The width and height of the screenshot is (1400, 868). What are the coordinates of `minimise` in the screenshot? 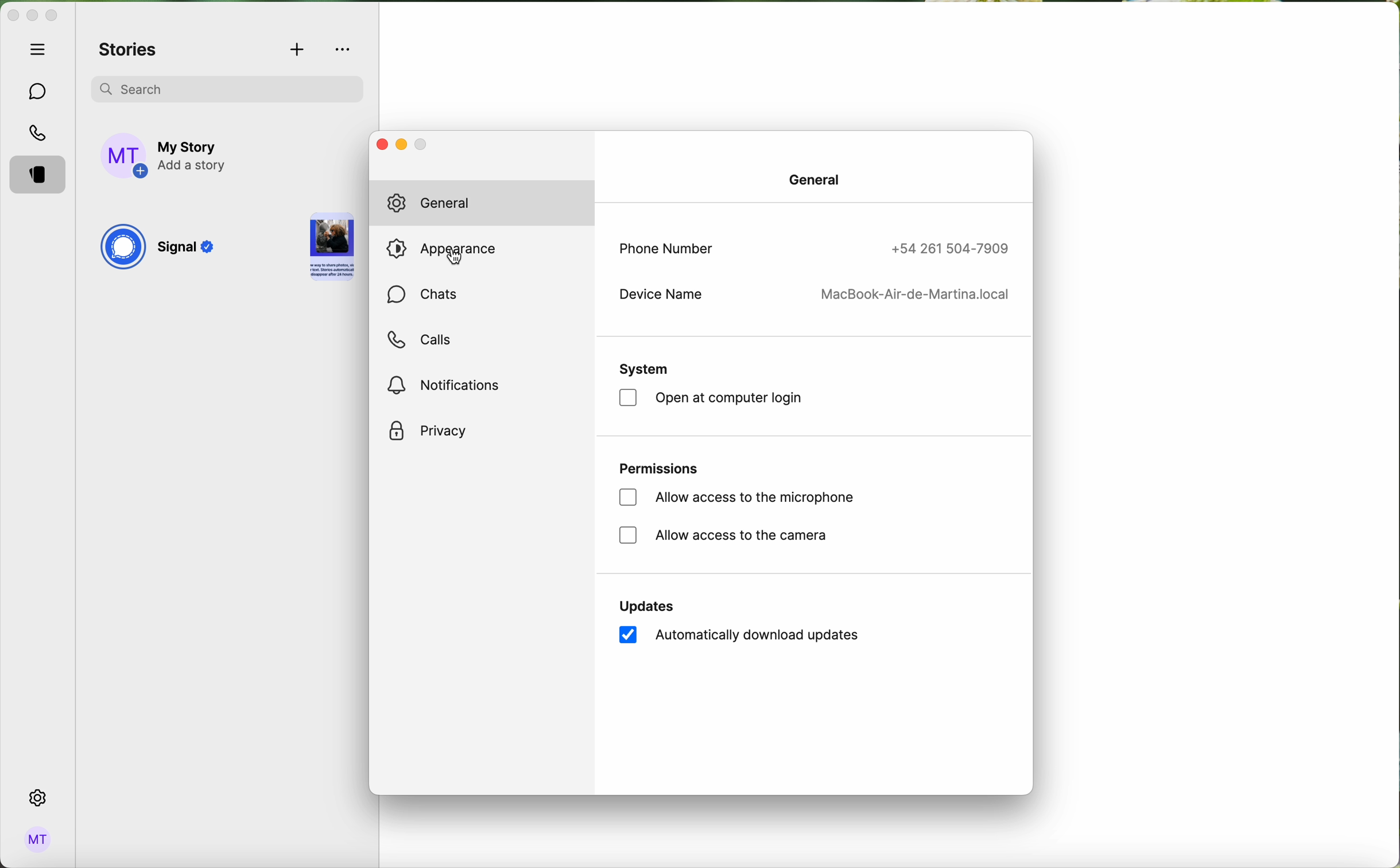 It's located at (422, 147).